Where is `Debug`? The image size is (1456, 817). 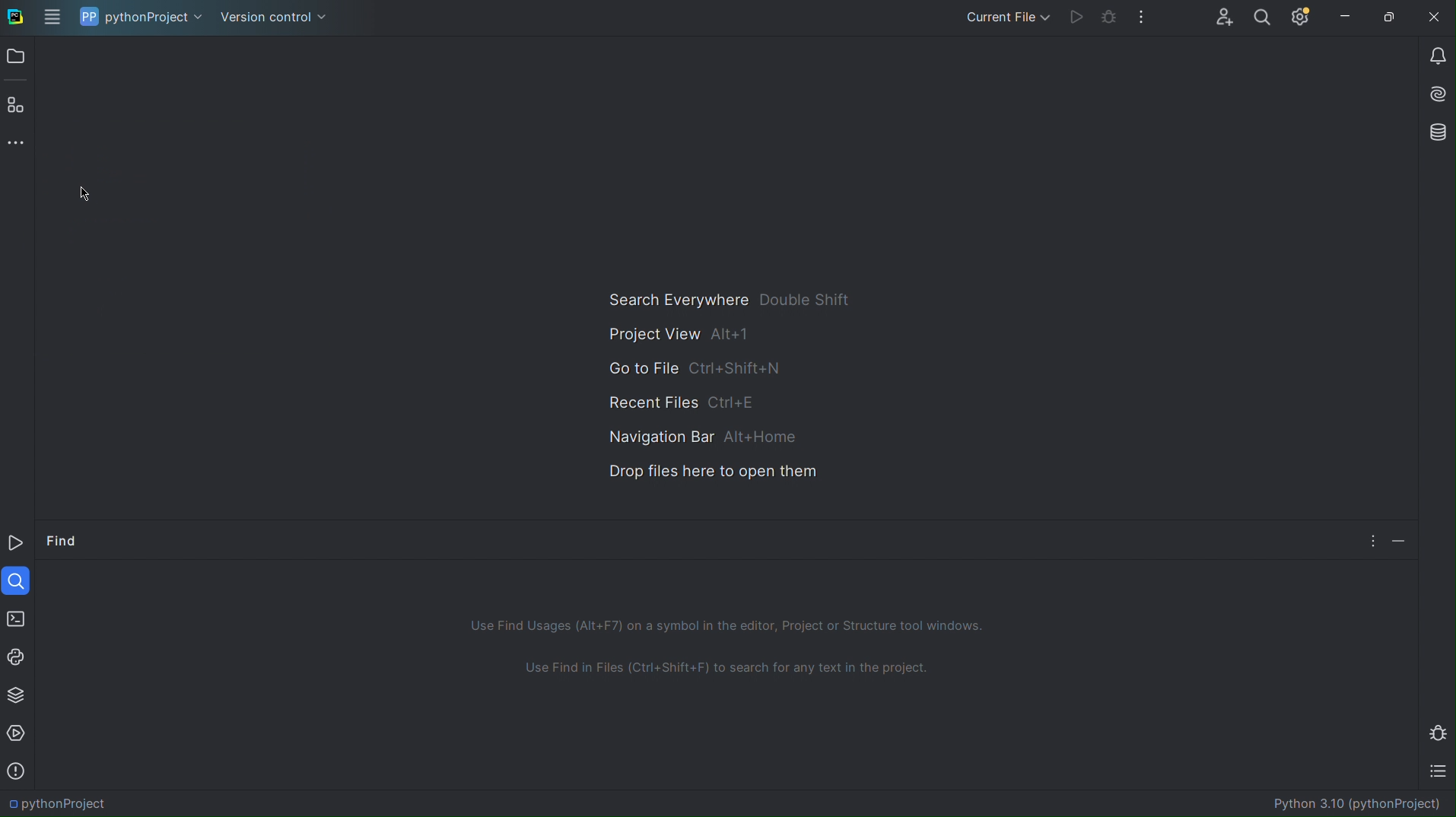
Debug is located at coordinates (1437, 730).